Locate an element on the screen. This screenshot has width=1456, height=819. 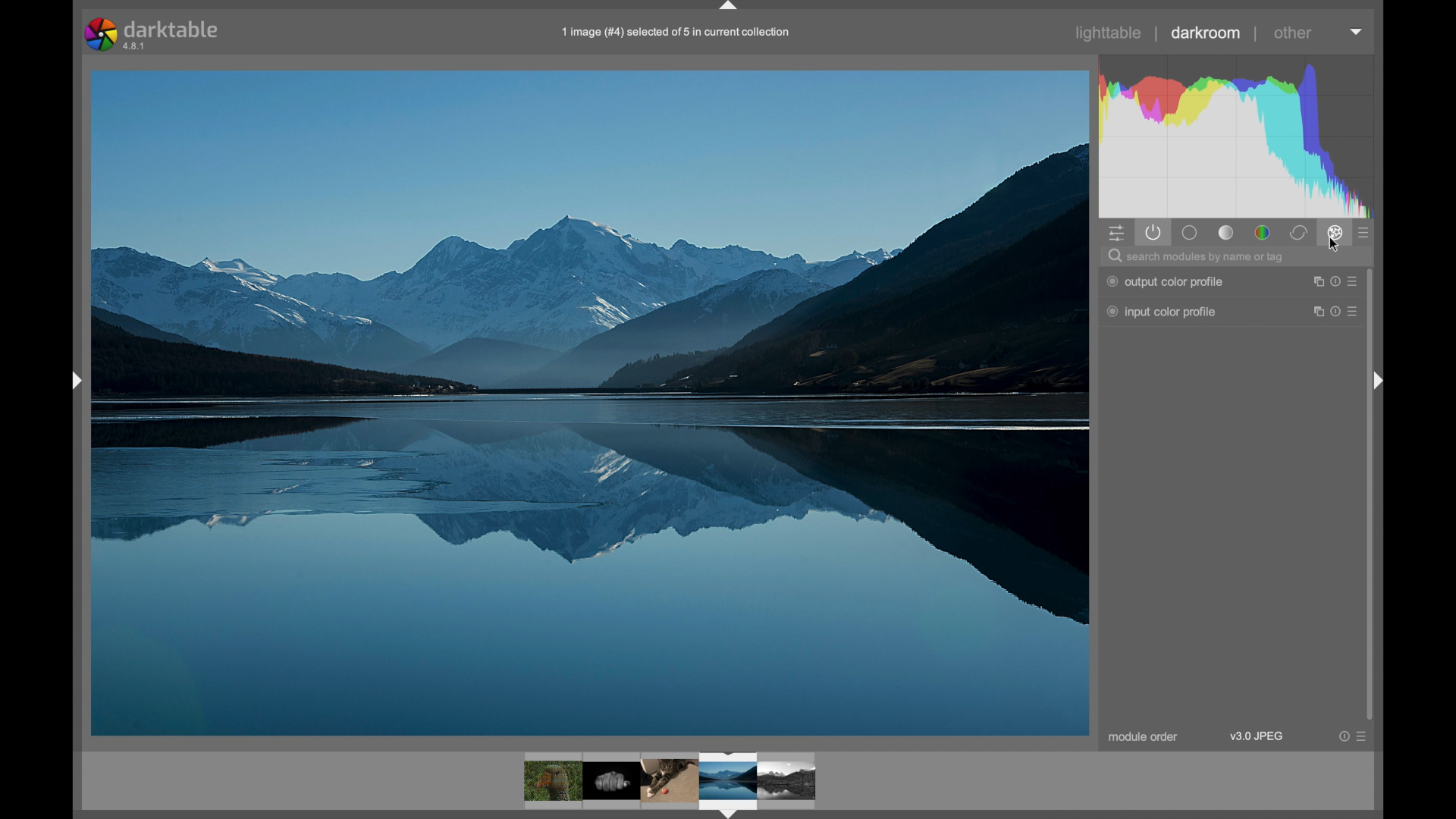
v3.0 jpeg is located at coordinates (1257, 736).